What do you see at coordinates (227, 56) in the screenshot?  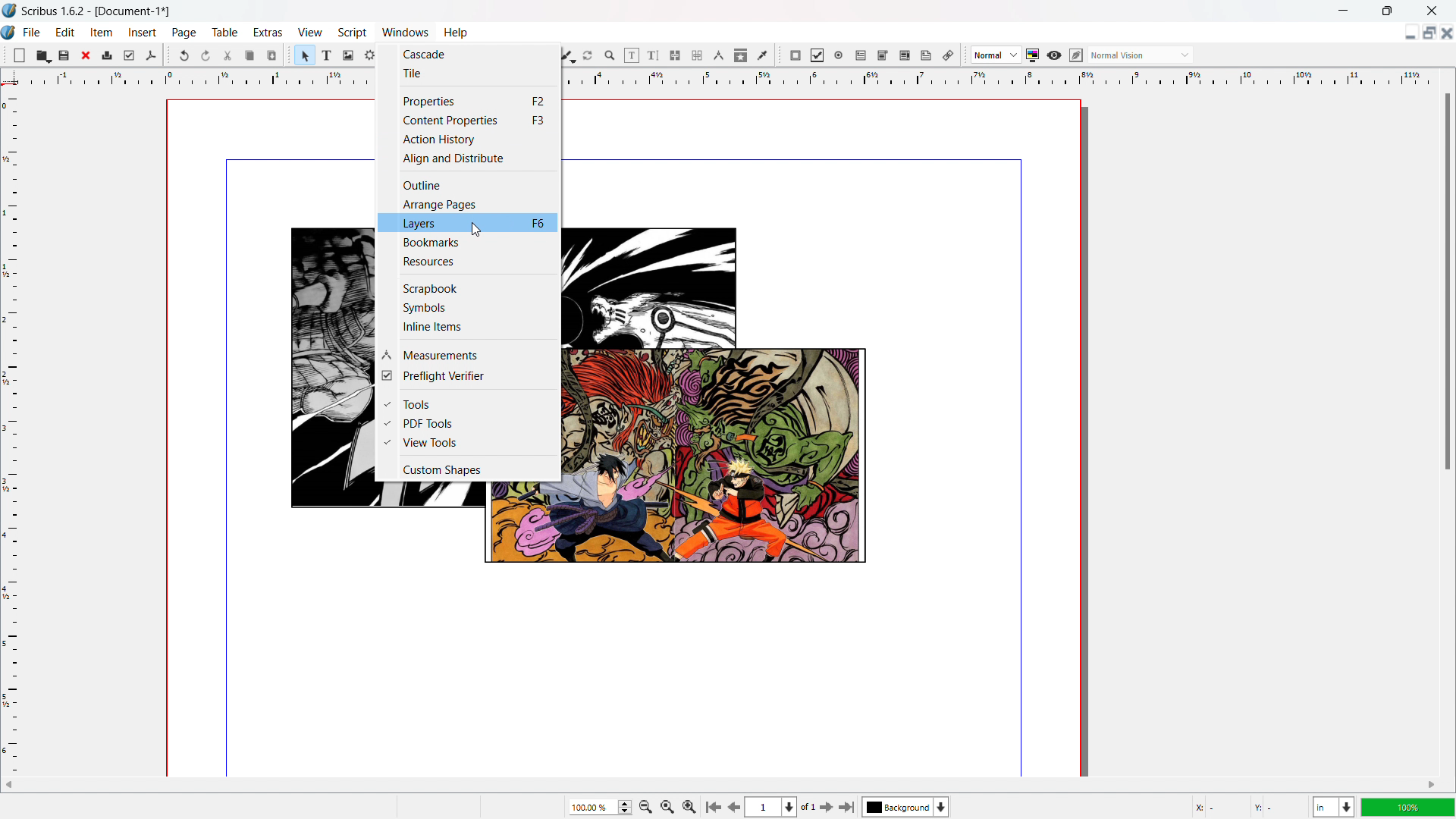 I see `cut` at bounding box center [227, 56].